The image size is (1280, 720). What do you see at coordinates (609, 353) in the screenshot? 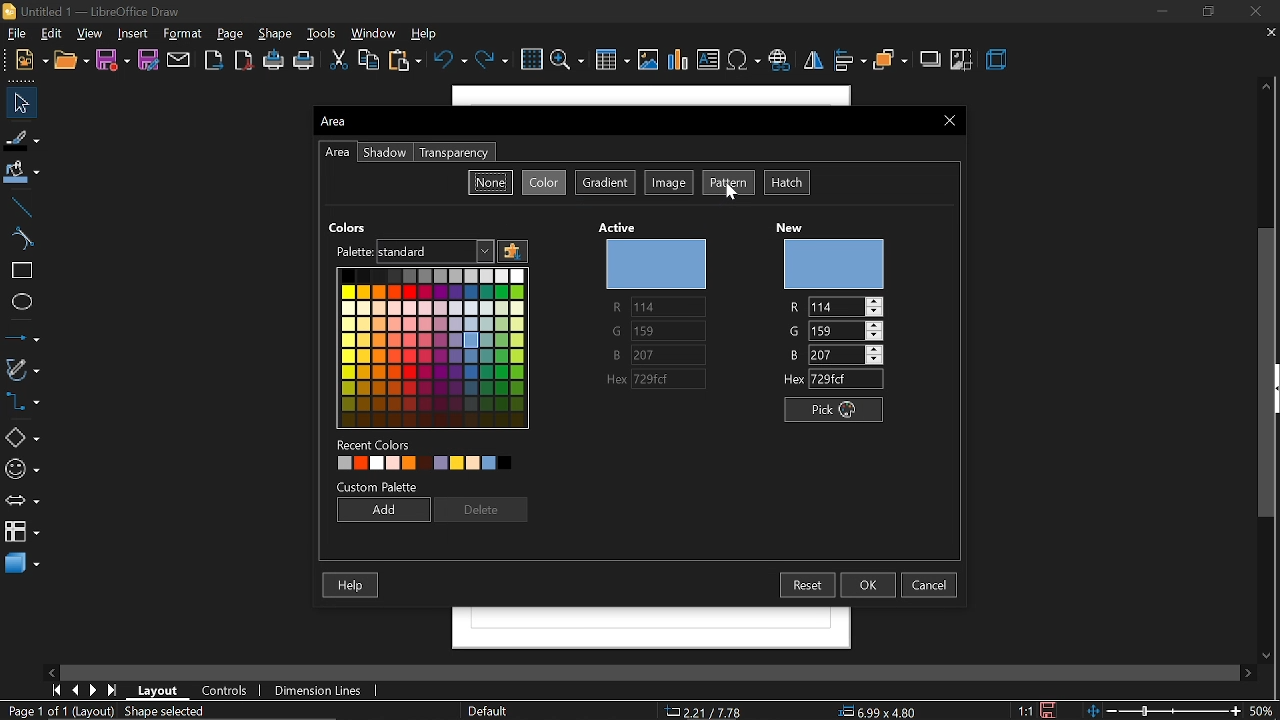
I see `B` at bounding box center [609, 353].